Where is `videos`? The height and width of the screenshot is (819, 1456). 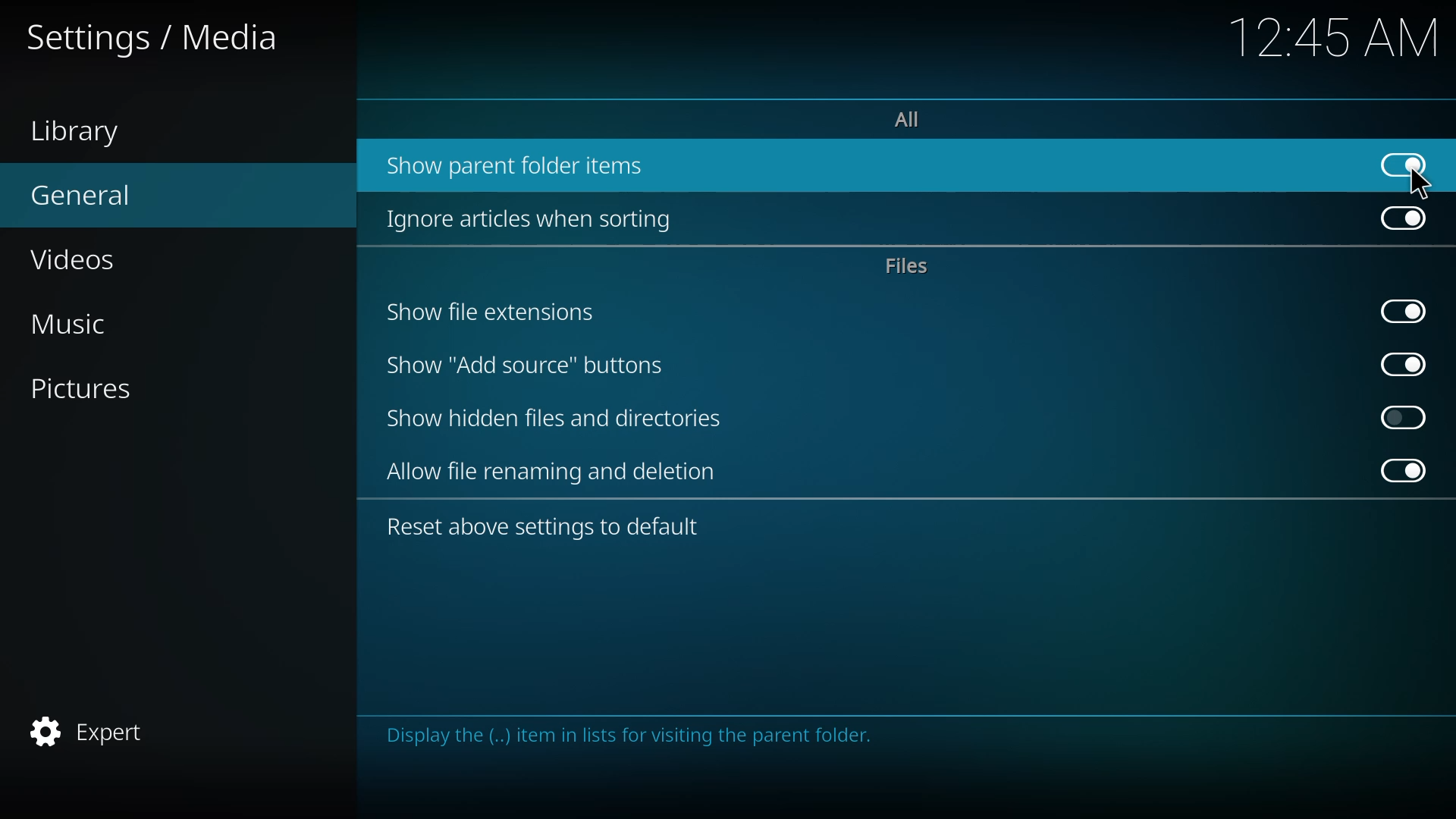
videos is located at coordinates (78, 258).